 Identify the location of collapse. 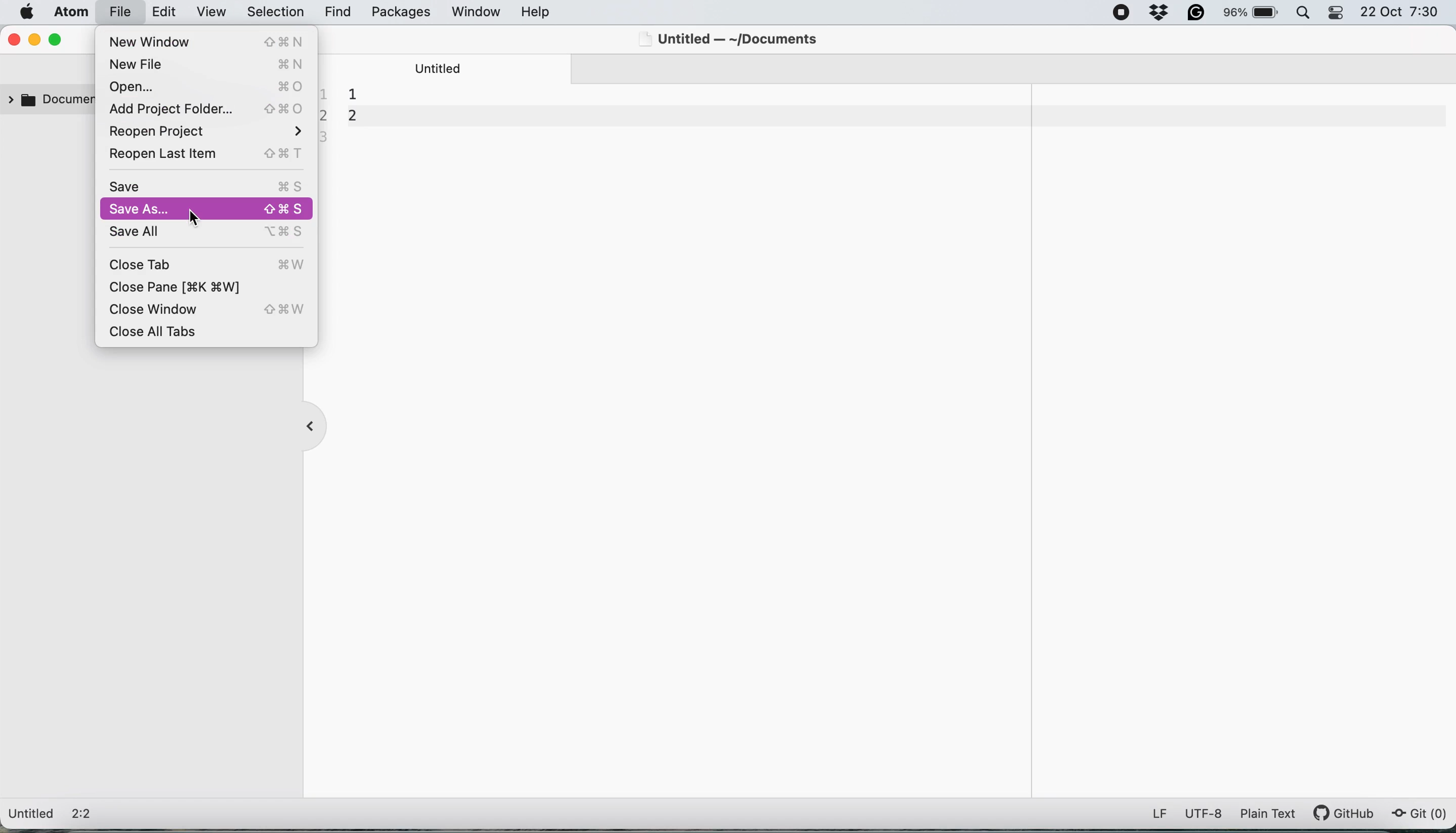
(315, 425).